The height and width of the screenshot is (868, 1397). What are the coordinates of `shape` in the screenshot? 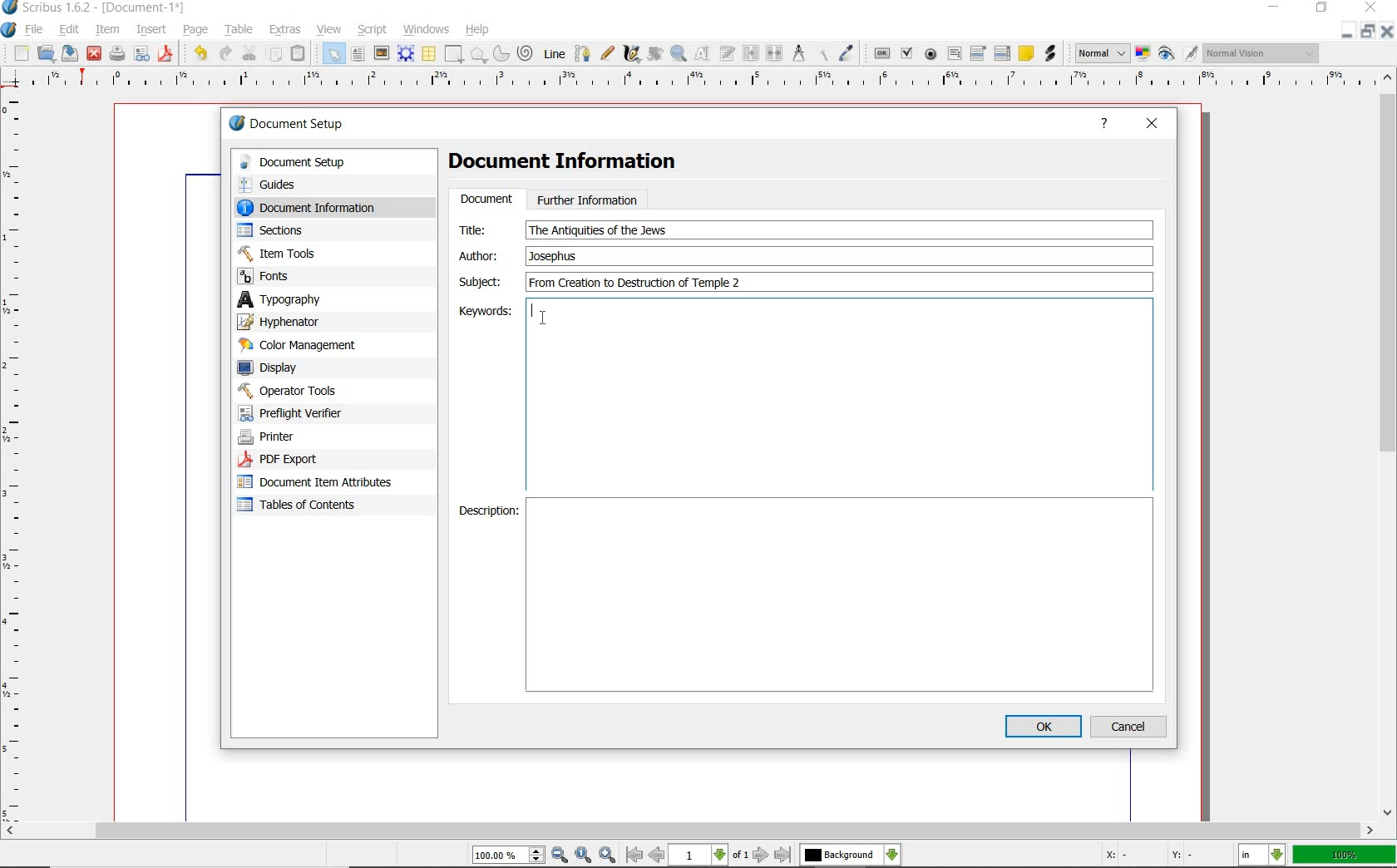 It's located at (478, 54).